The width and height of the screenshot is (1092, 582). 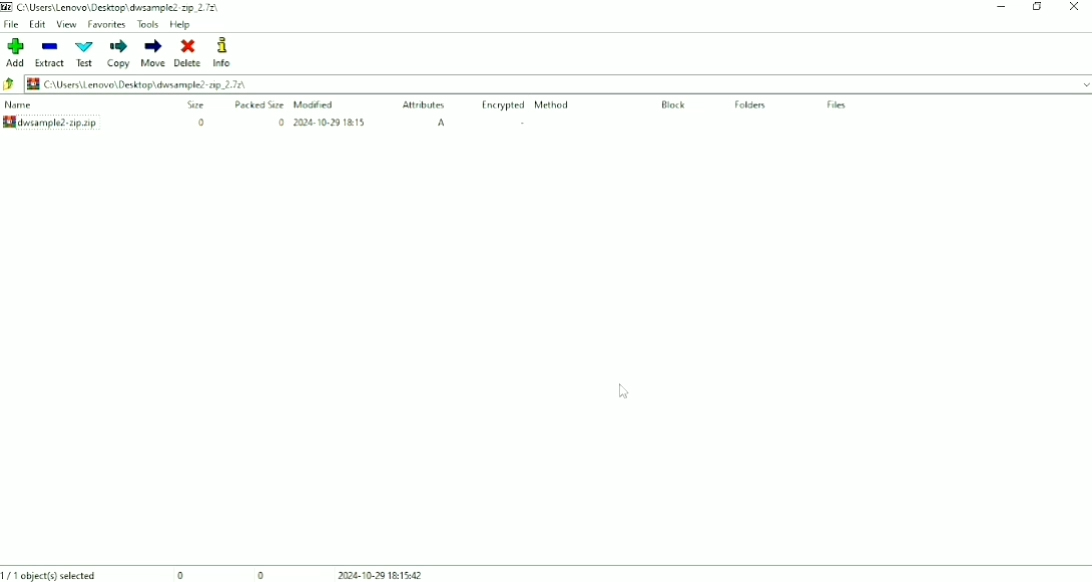 What do you see at coordinates (66, 24) in the screenshot?
I see `View` at bounding box center [66, 24].